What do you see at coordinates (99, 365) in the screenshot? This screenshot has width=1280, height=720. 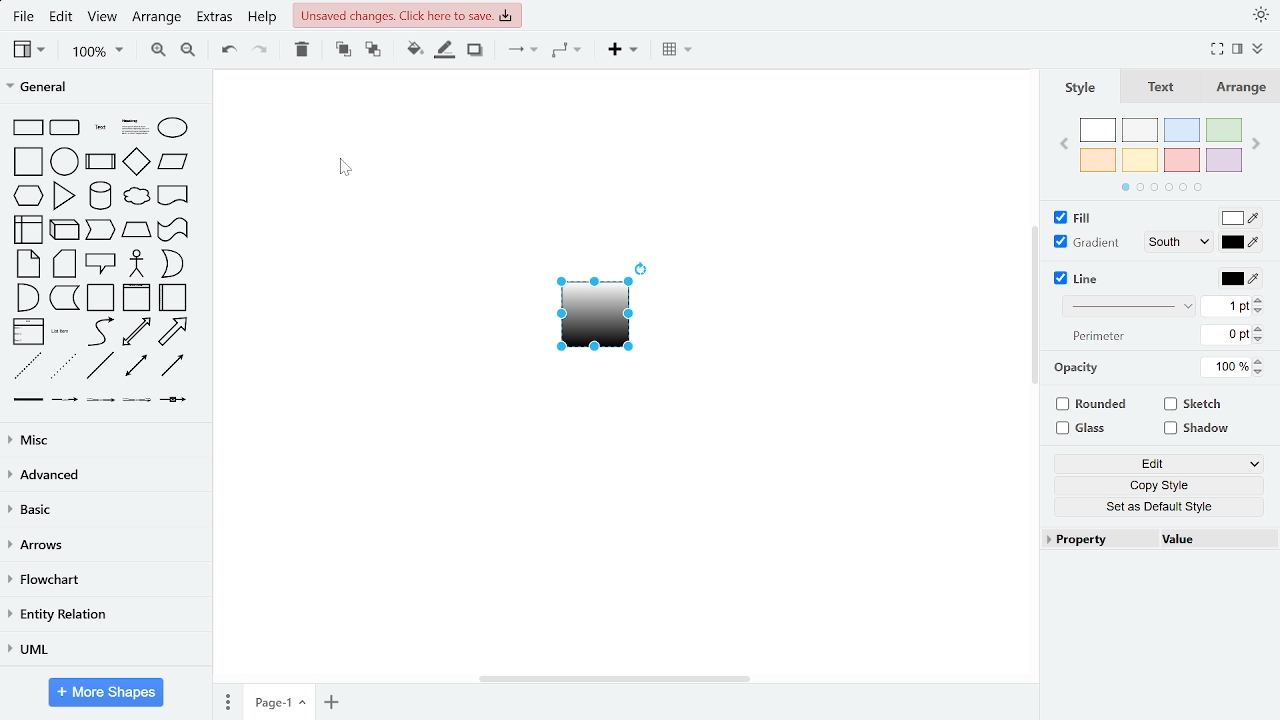 I see `general shapes` at bounding box center [99, 365].